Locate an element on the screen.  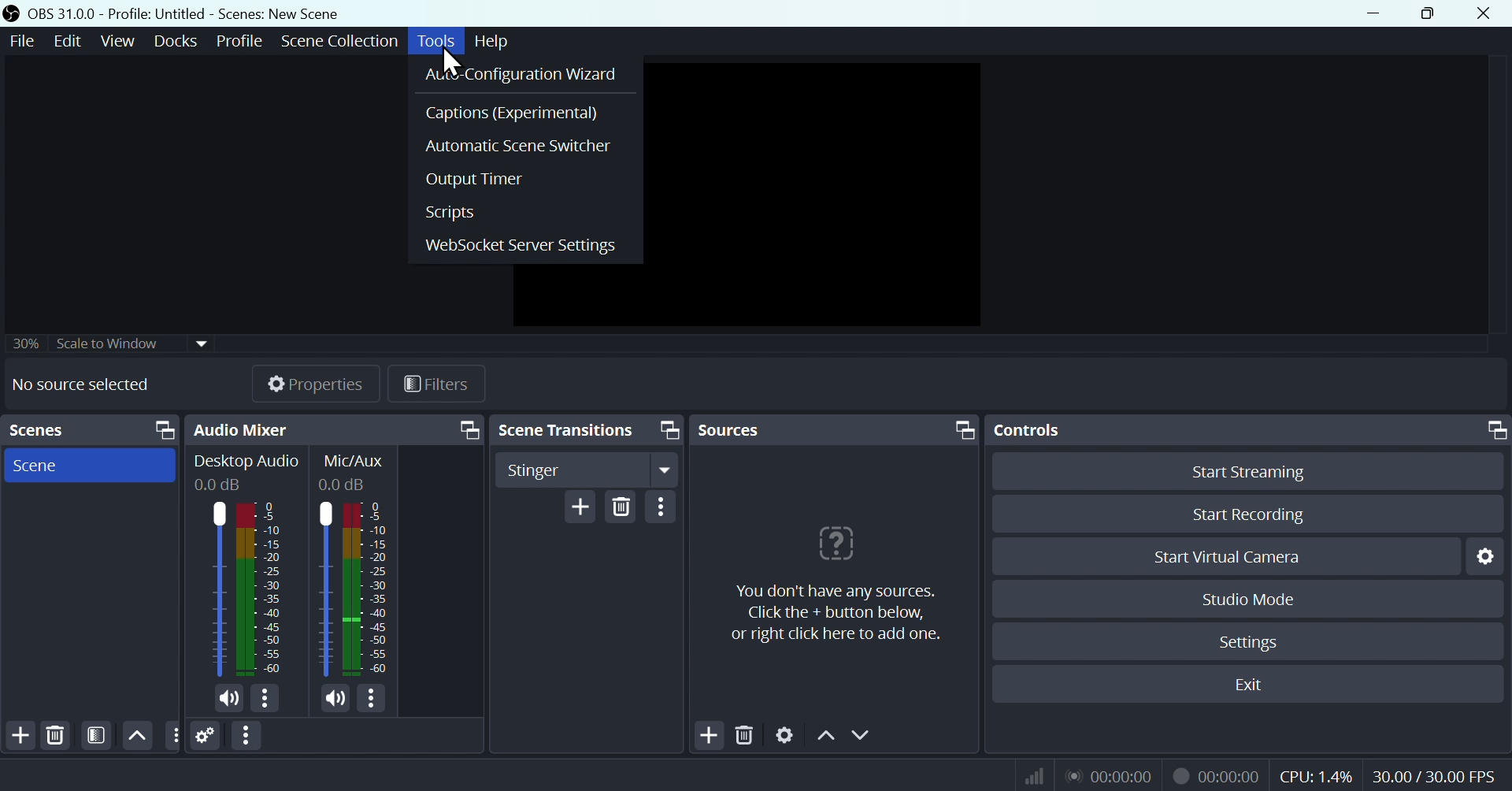
Scenes is located at coordinates (36, 429).